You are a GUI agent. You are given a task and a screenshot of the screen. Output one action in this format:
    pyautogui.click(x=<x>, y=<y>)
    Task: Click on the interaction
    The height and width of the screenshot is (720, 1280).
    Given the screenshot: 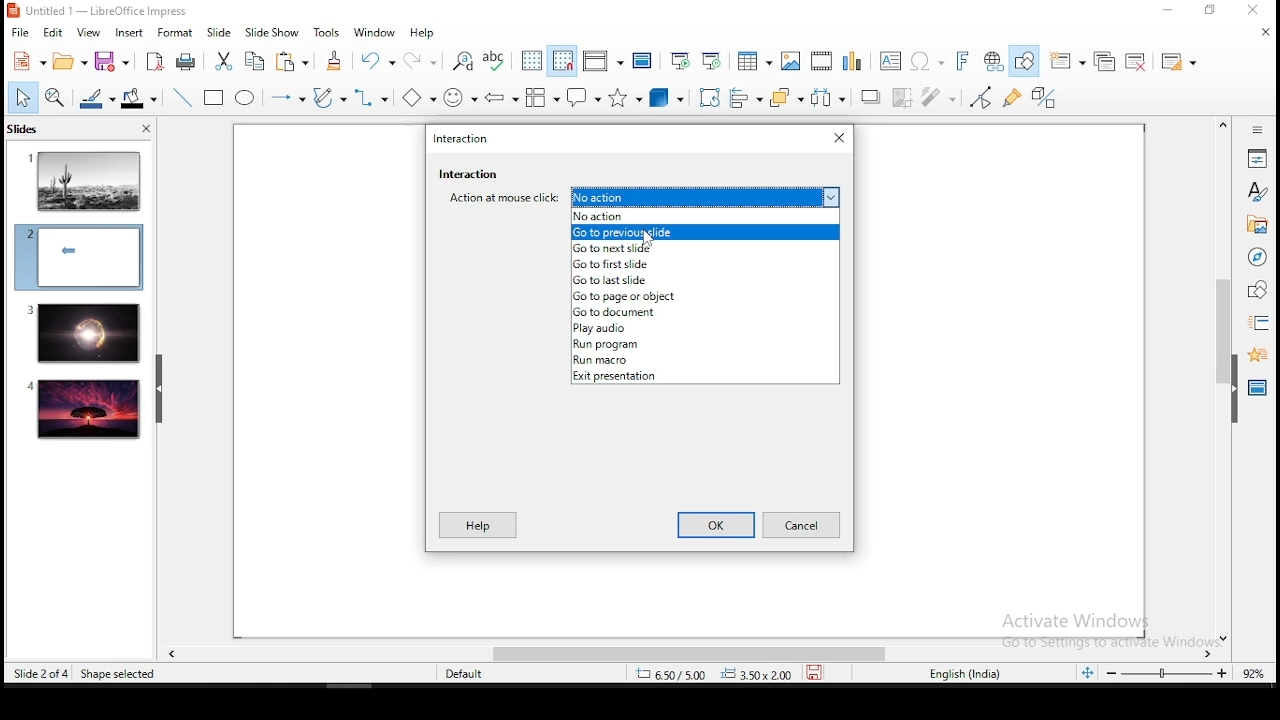 What is the action you would take?
    pyautogui.click(x=464, y=140)
    